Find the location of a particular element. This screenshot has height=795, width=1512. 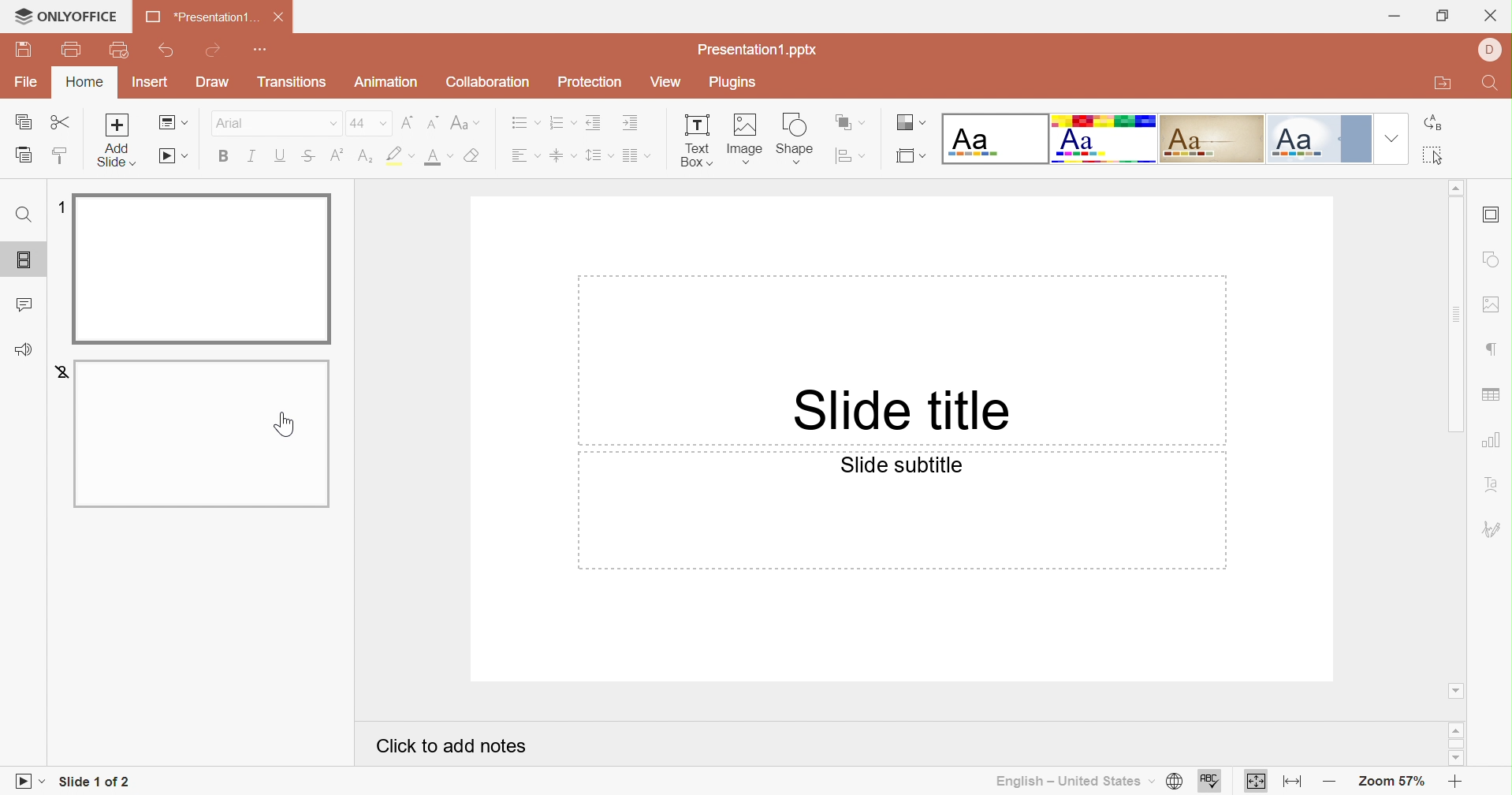

Find is located at coordinates (24, 214).